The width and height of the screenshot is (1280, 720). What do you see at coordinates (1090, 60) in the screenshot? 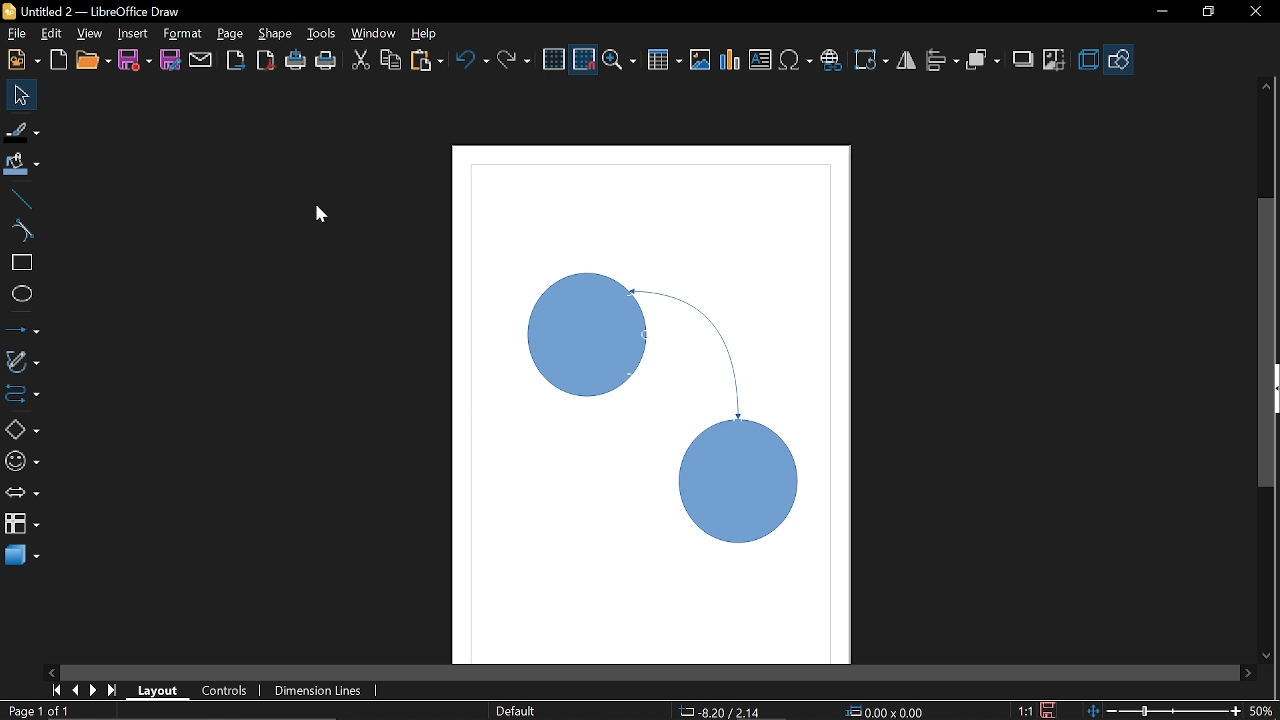
I see `3d effects` at bounding box center [1090, 60].